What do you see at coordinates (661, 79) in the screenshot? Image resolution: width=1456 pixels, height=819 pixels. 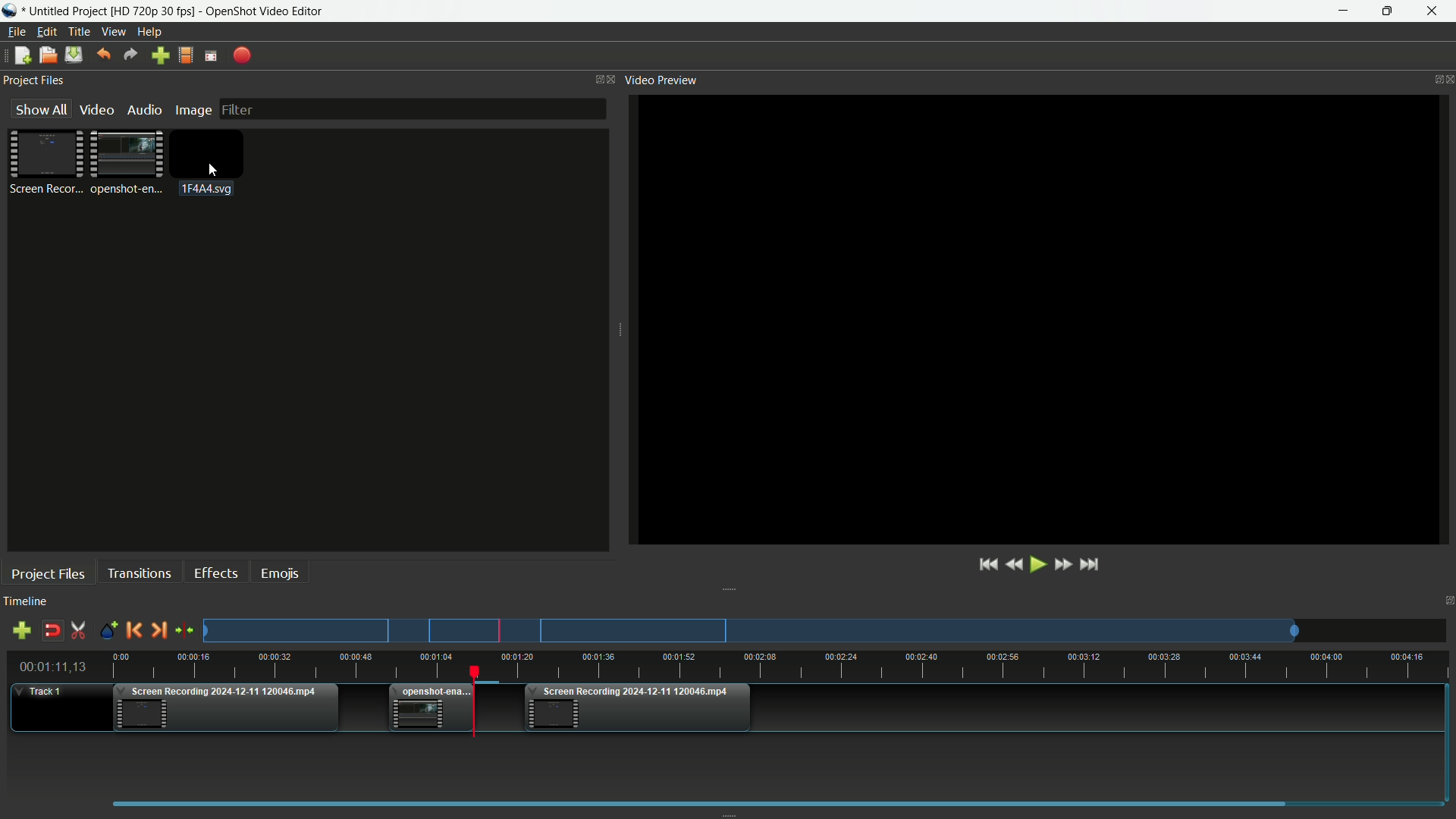 I see `Video preview` at bounding box center [661, 79].